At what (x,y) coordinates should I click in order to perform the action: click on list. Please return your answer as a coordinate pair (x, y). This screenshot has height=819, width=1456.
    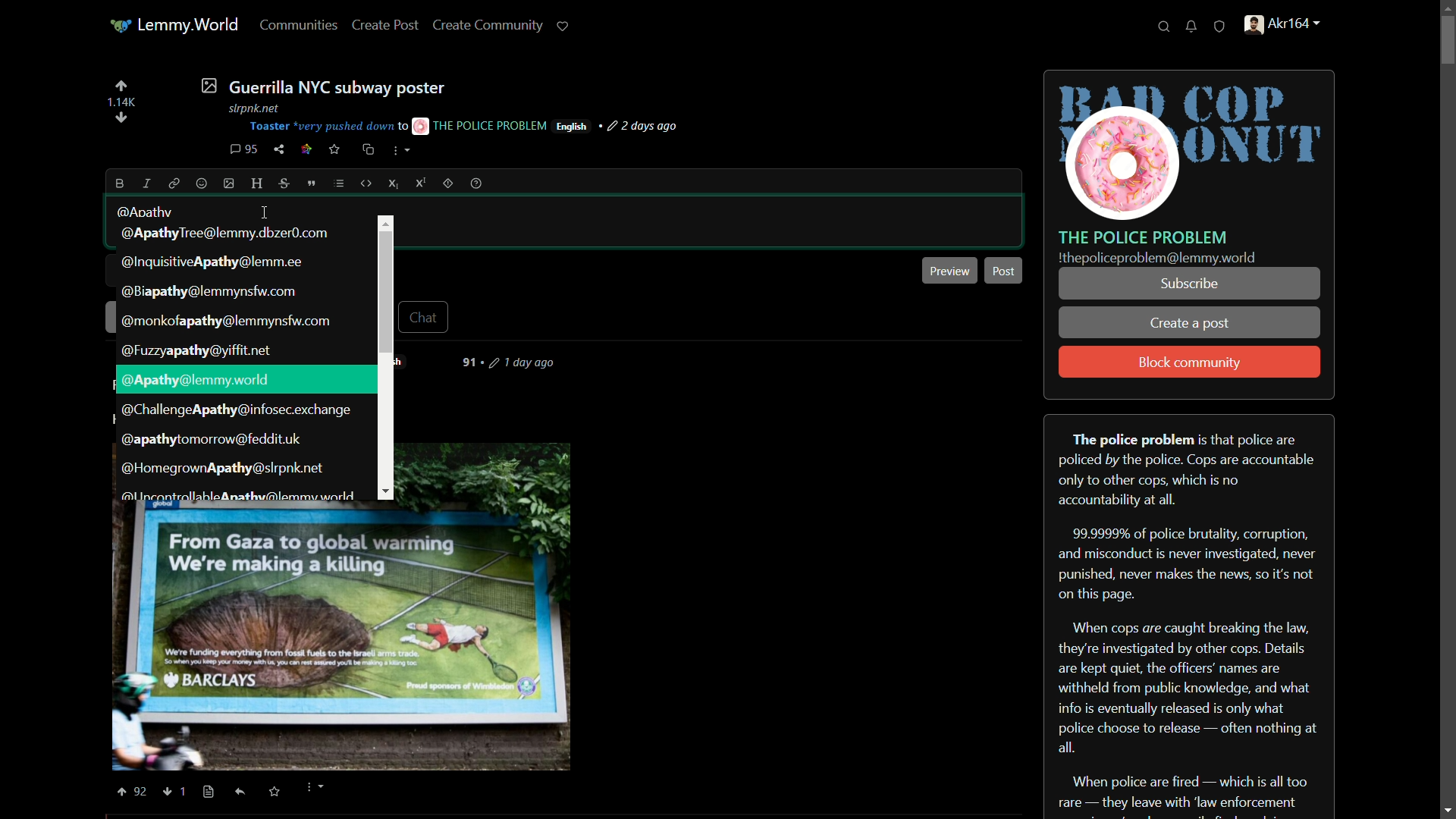
    Looking at the image, I should click on (339, 184).